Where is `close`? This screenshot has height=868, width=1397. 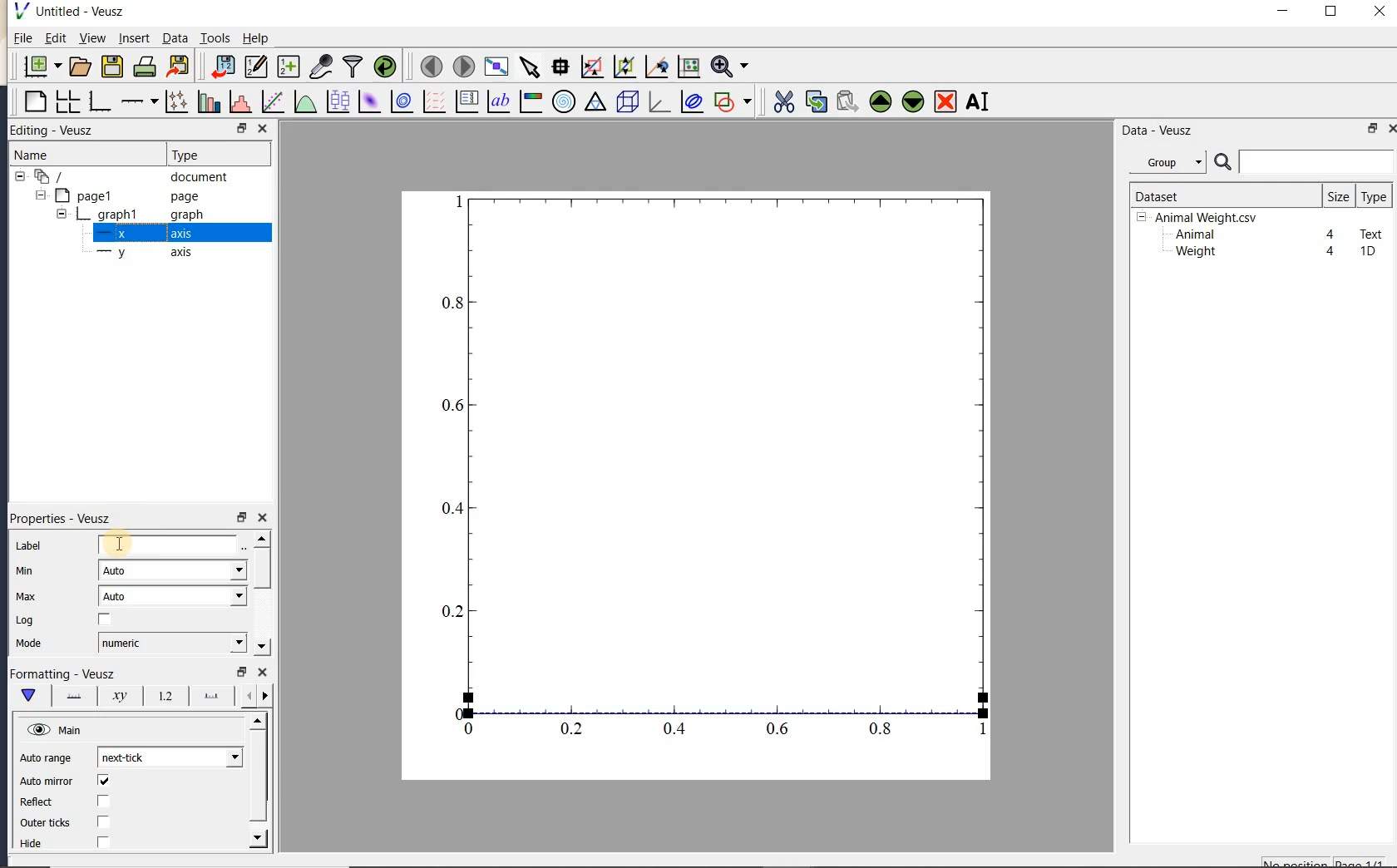
close is located at coordinates (1380, 12).